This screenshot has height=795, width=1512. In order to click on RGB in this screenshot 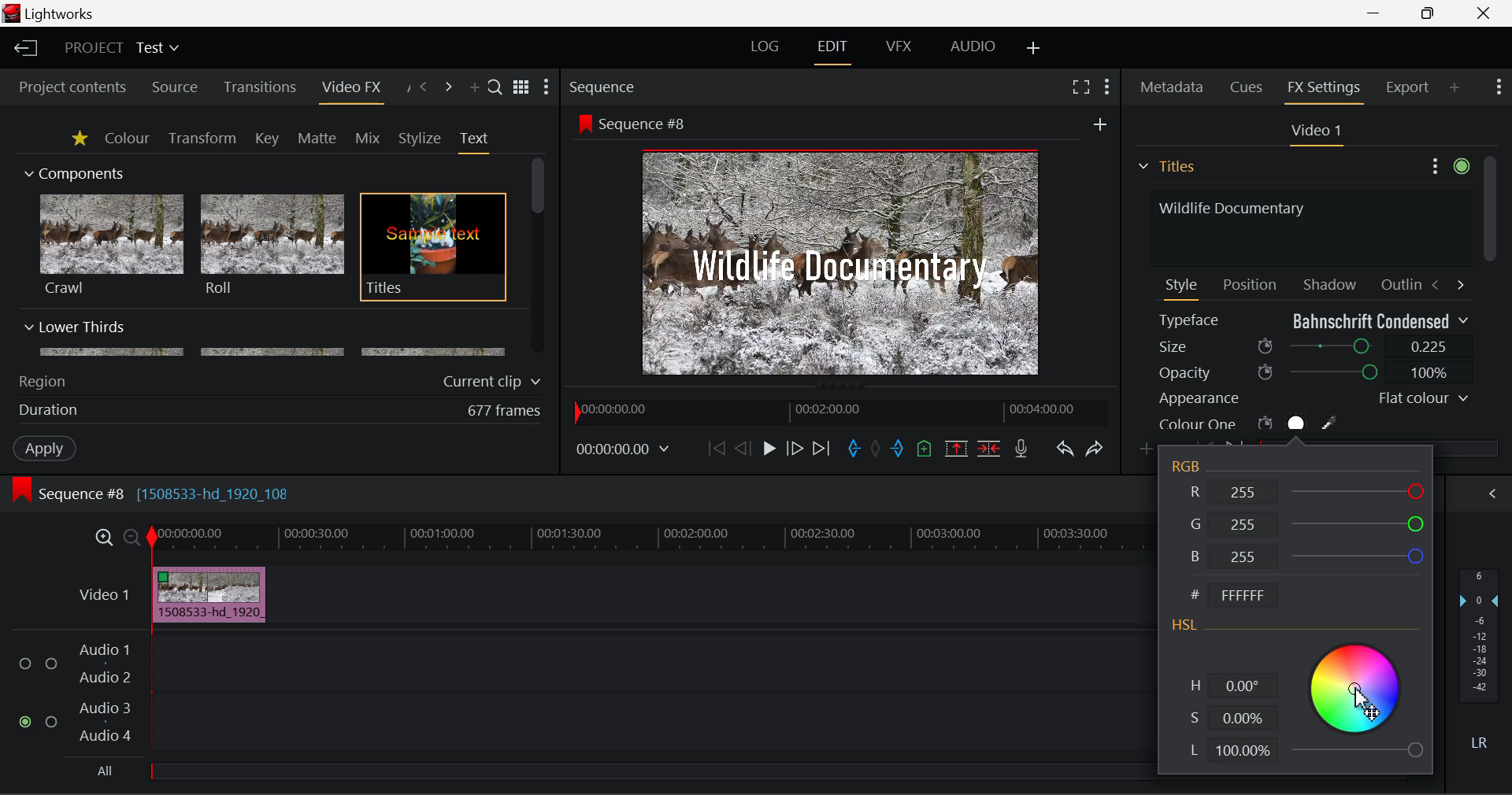, I will do `click(1189, 467)`.